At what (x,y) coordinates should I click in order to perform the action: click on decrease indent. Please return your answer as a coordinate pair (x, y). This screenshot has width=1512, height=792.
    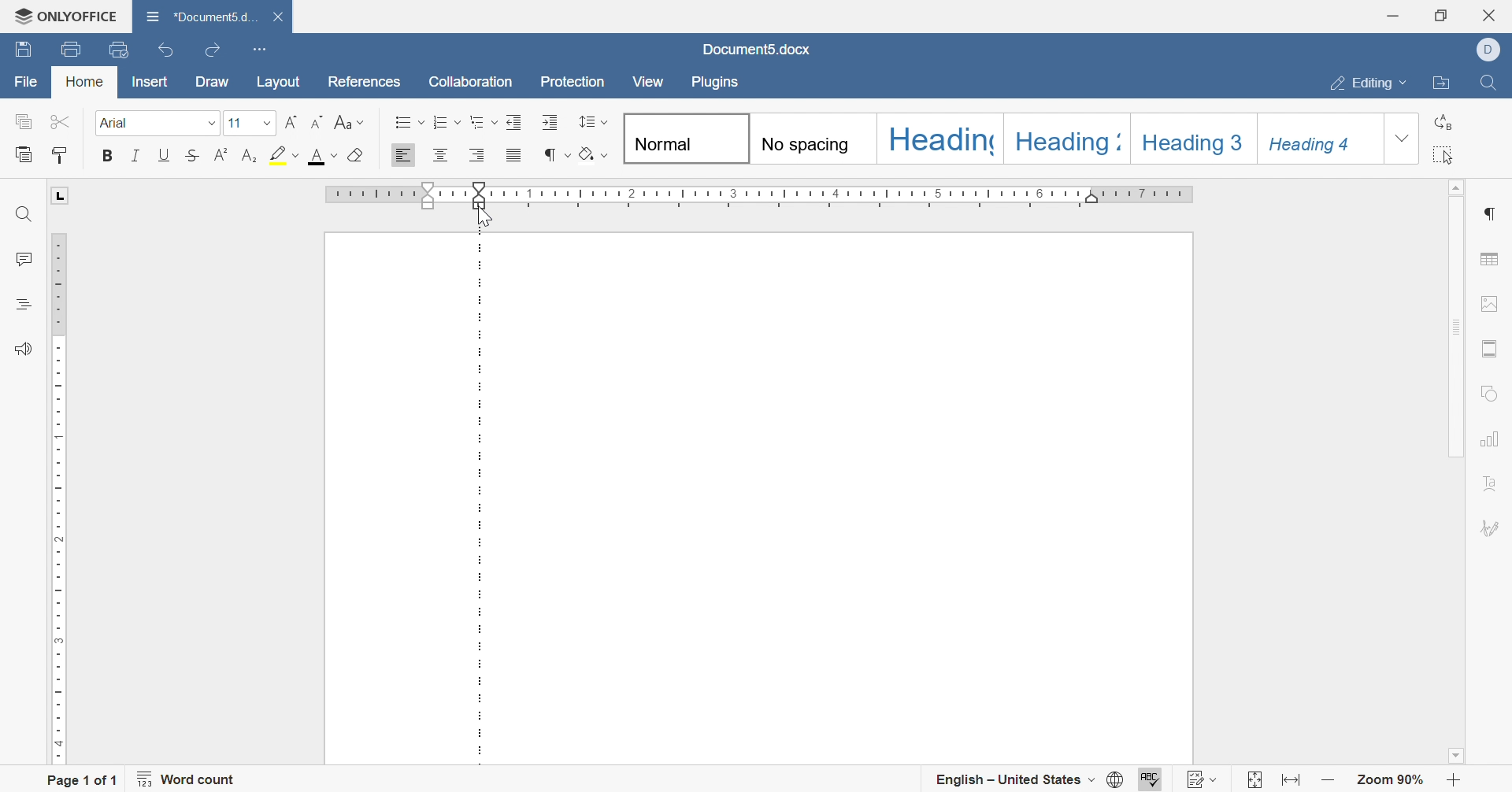
    Looking at the image, I should click on (515, 121).